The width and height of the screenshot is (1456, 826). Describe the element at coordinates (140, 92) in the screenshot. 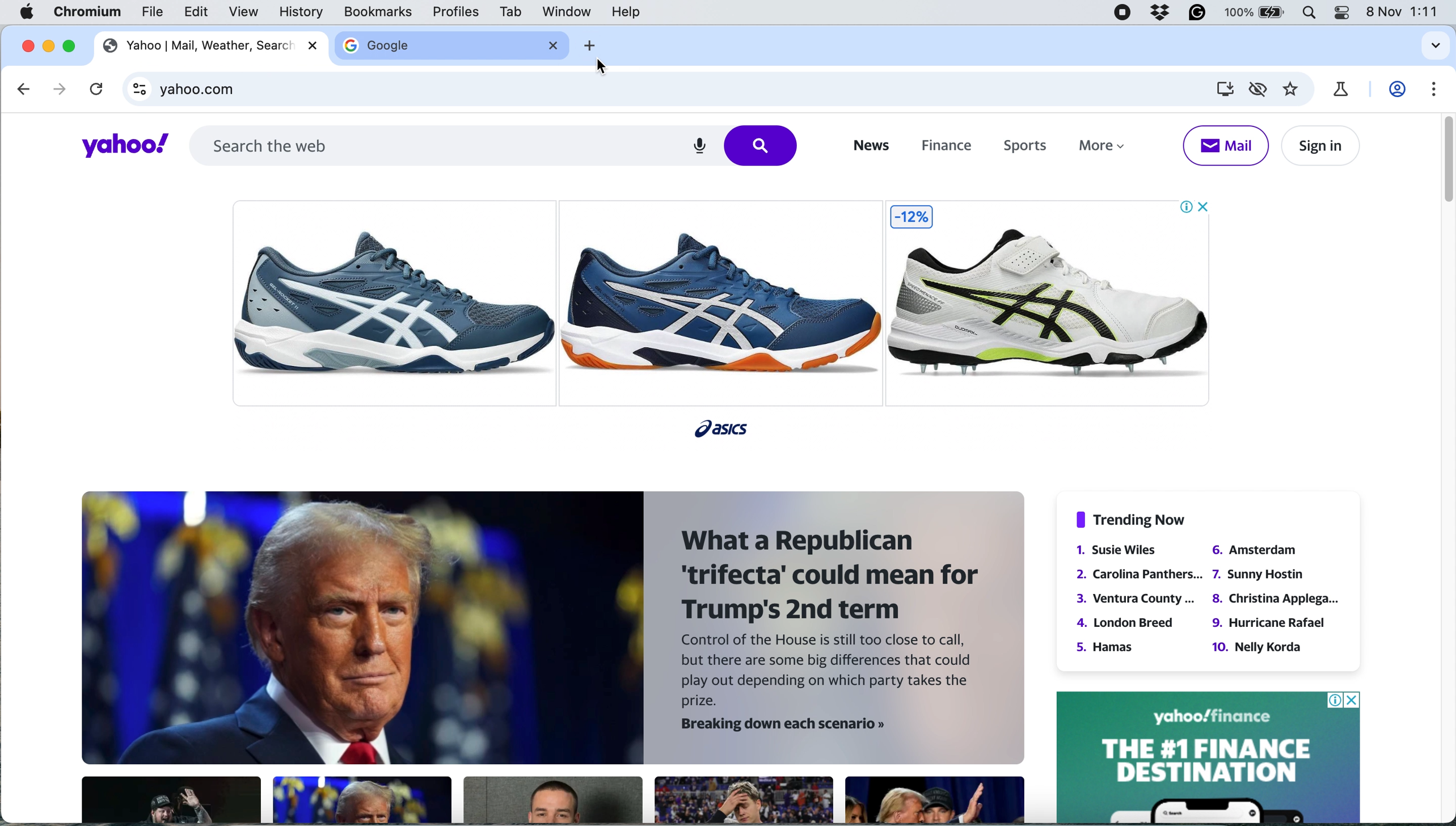

I see `view site information` at that location.